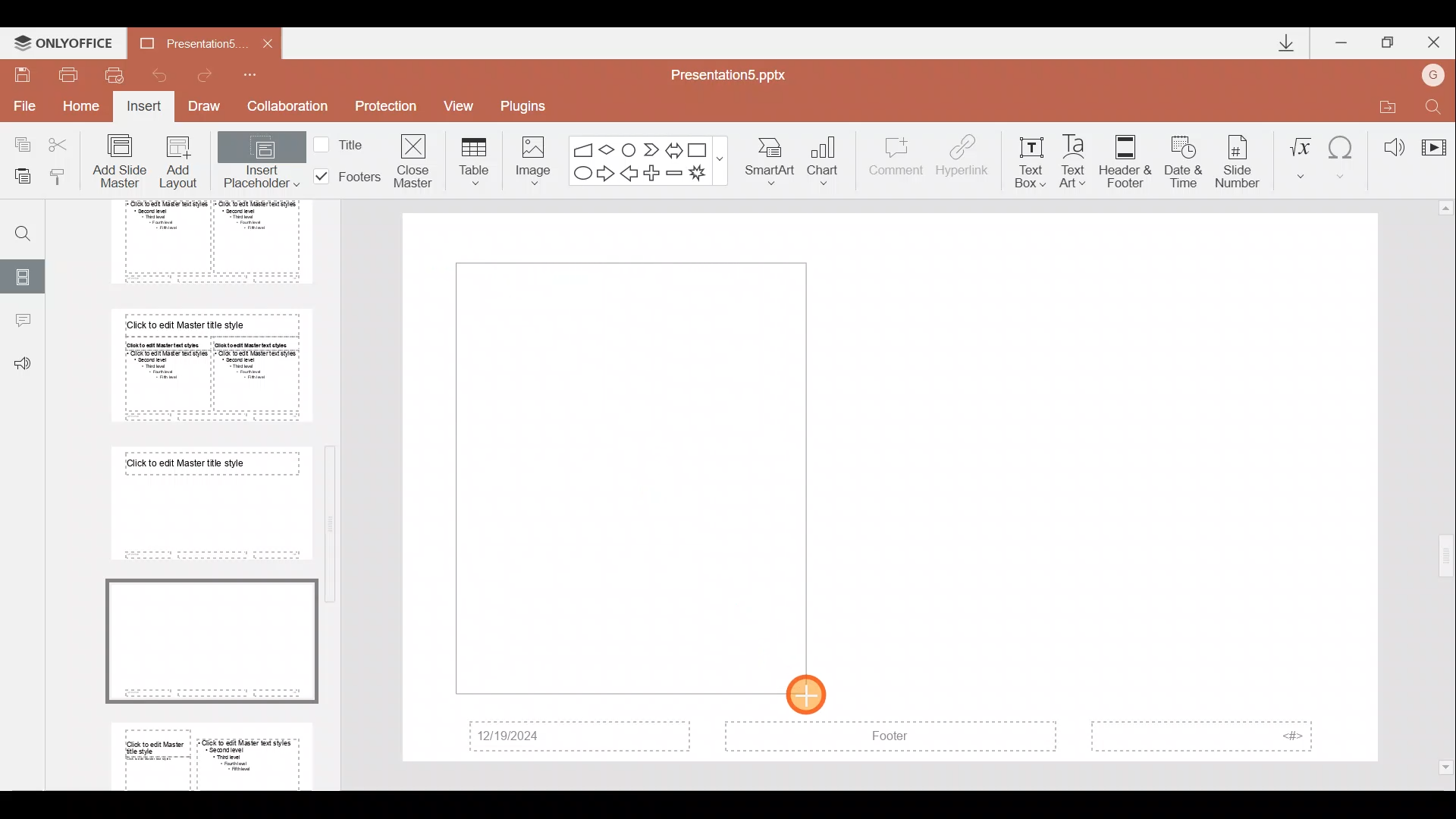 This screenshot has height=819, width=1456. Describe the element at coordinates (260, 163) in the screenshot. I see `Insert placeholder` at that location.